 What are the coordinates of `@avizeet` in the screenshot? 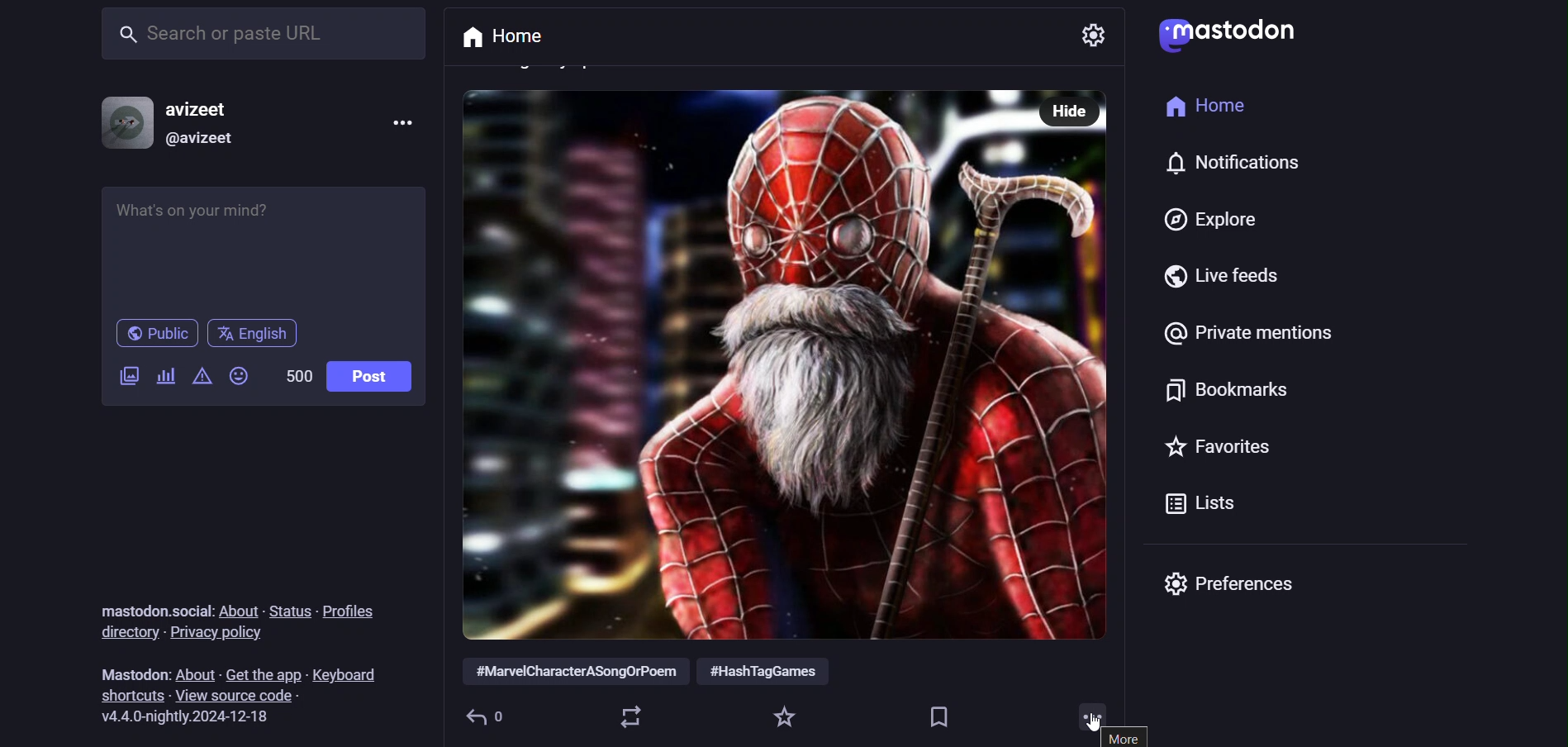 It's located at (199, 144).